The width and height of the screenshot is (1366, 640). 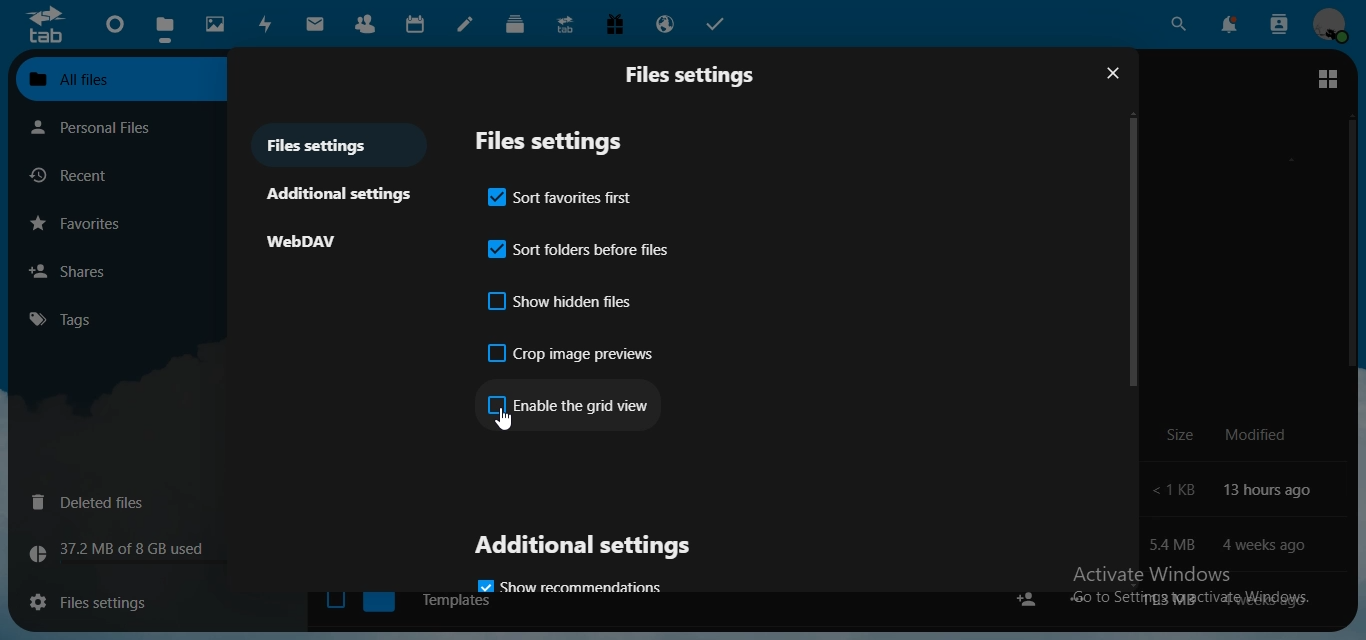 I want to click on email hosting, so click(x=668, y=23).